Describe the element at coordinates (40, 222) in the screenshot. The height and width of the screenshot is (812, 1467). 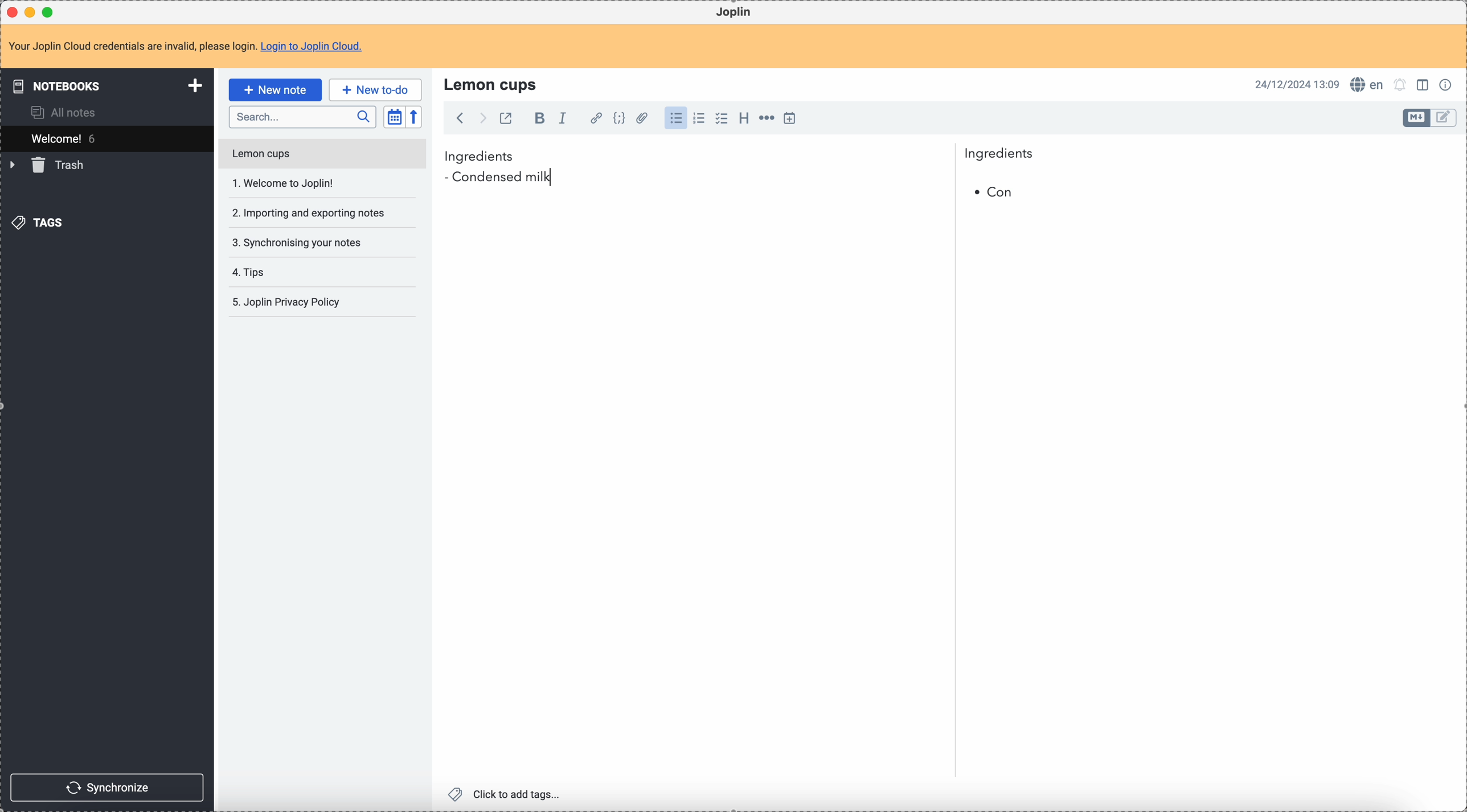
I see `tags` at that location.